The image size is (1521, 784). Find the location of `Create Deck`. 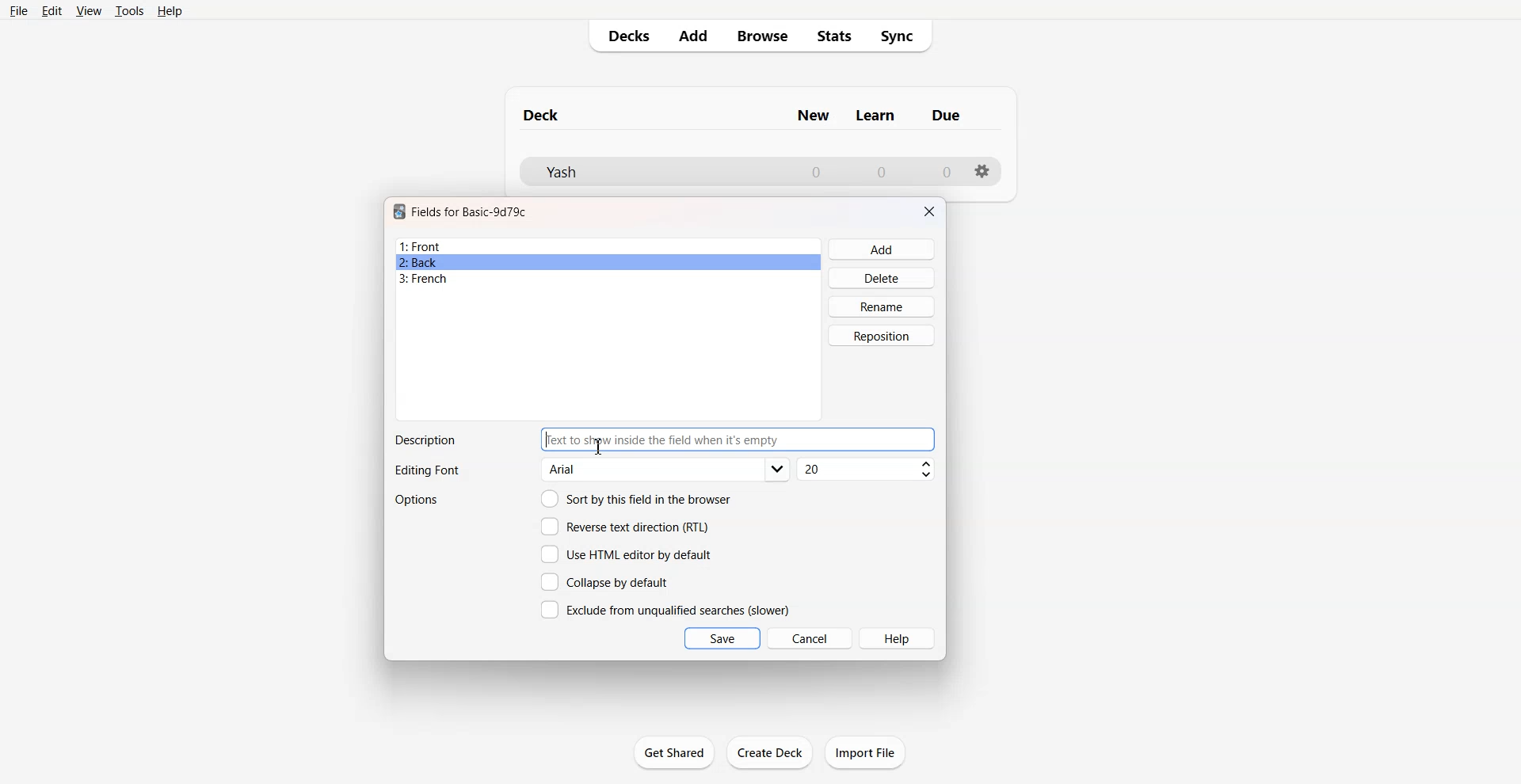

Create Deck is located at coordinates (771, 752).